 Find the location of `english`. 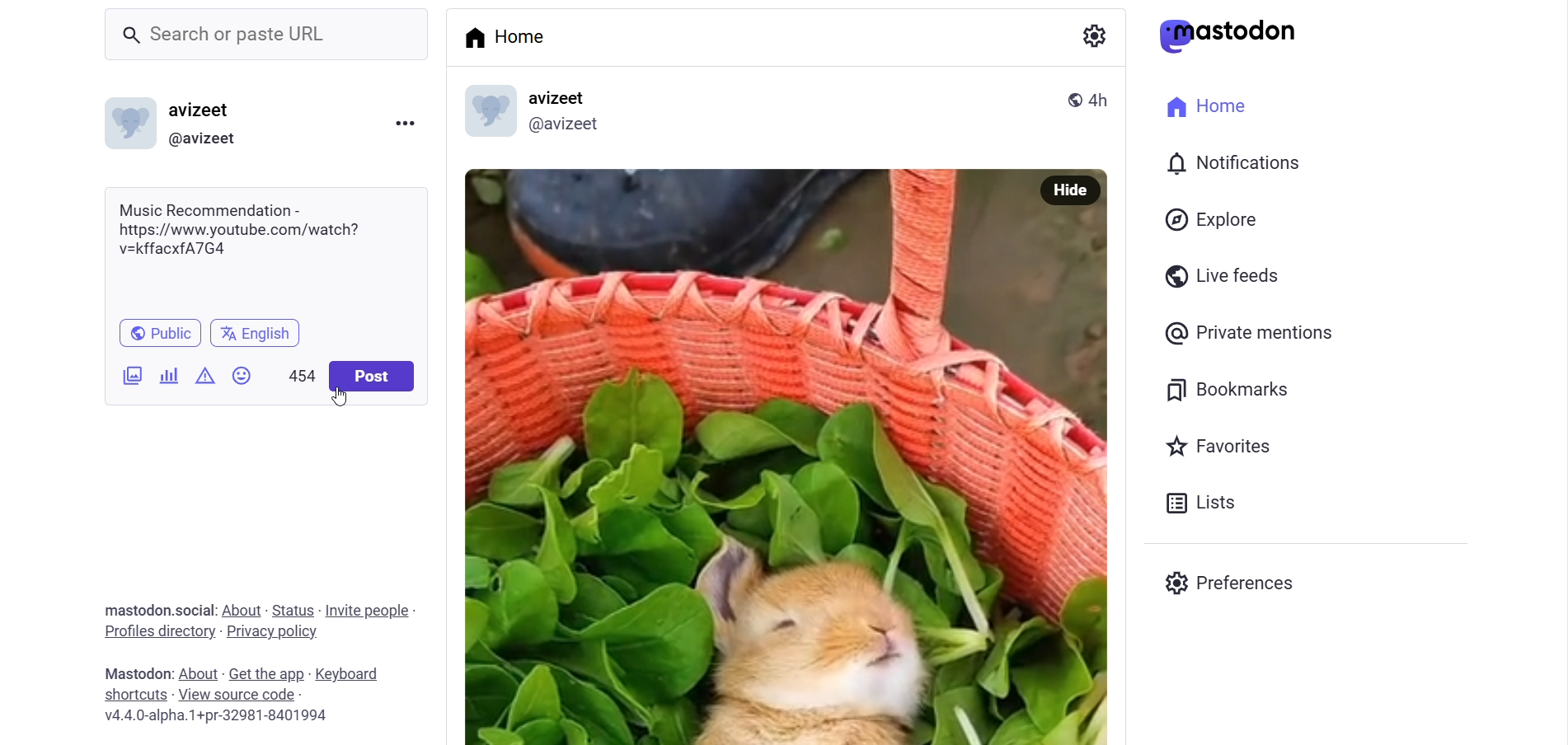

english is located at coordinates (256, 332).